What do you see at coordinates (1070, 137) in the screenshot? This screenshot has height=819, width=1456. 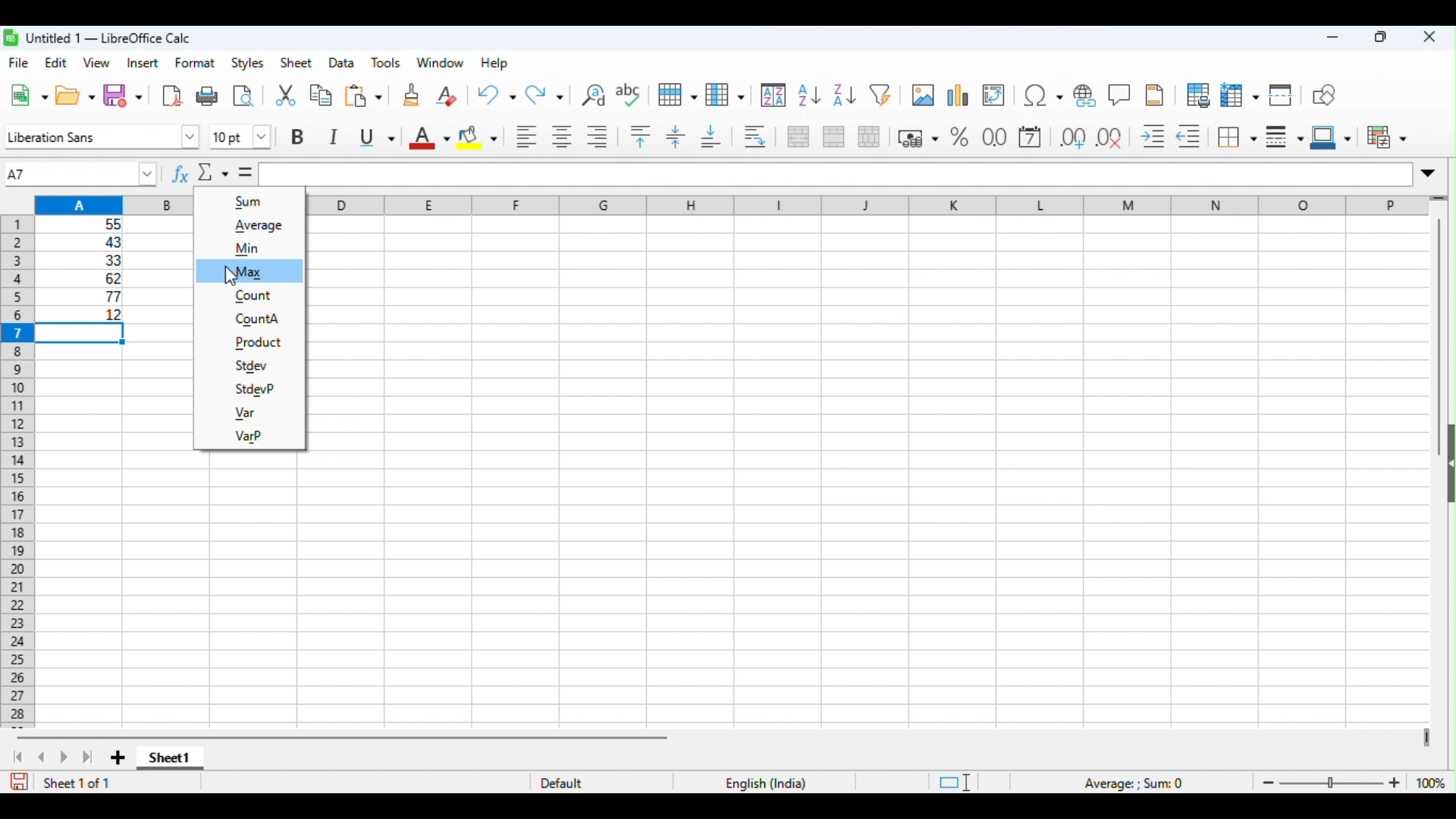 I see `add decimal place` at bounding box center [1070, 137].